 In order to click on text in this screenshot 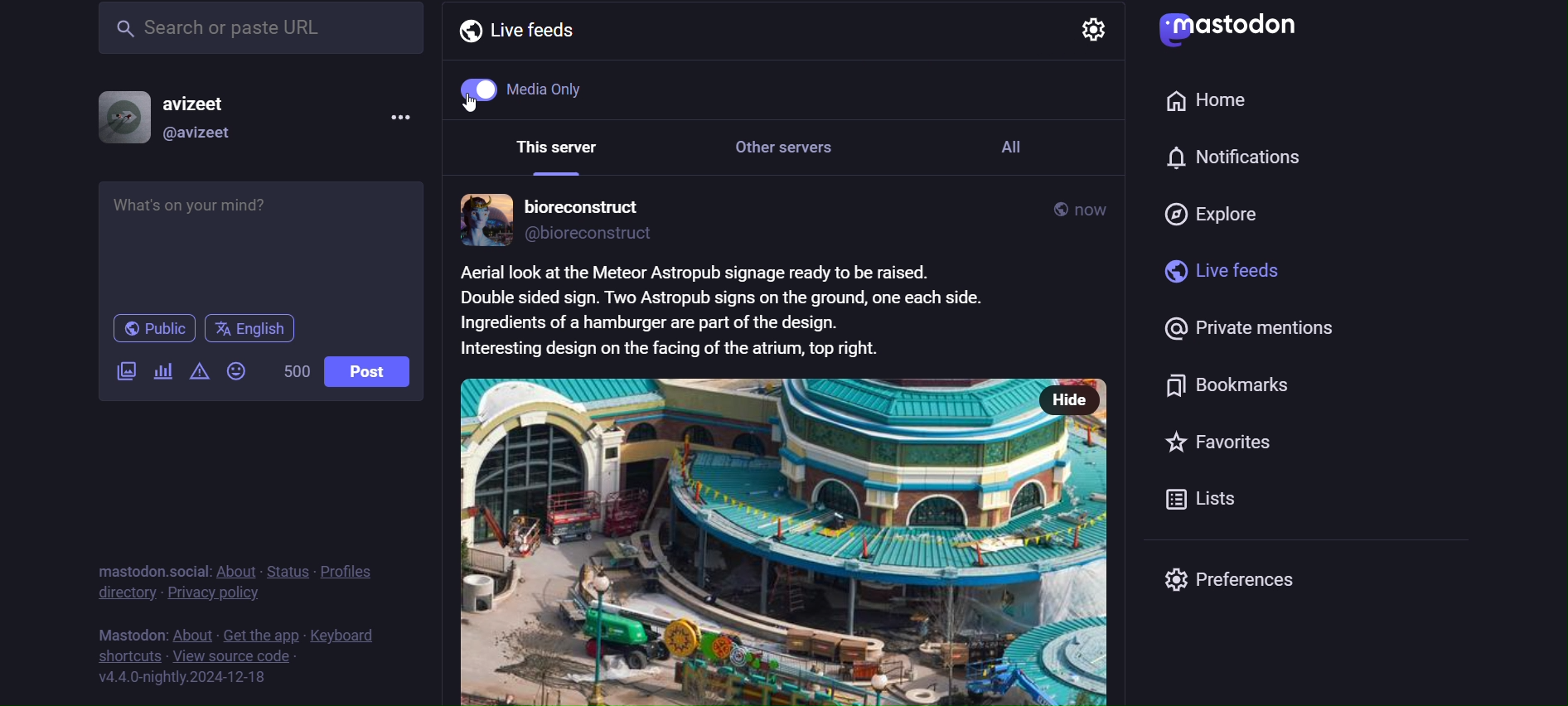, I will do `click(123, 631)`.